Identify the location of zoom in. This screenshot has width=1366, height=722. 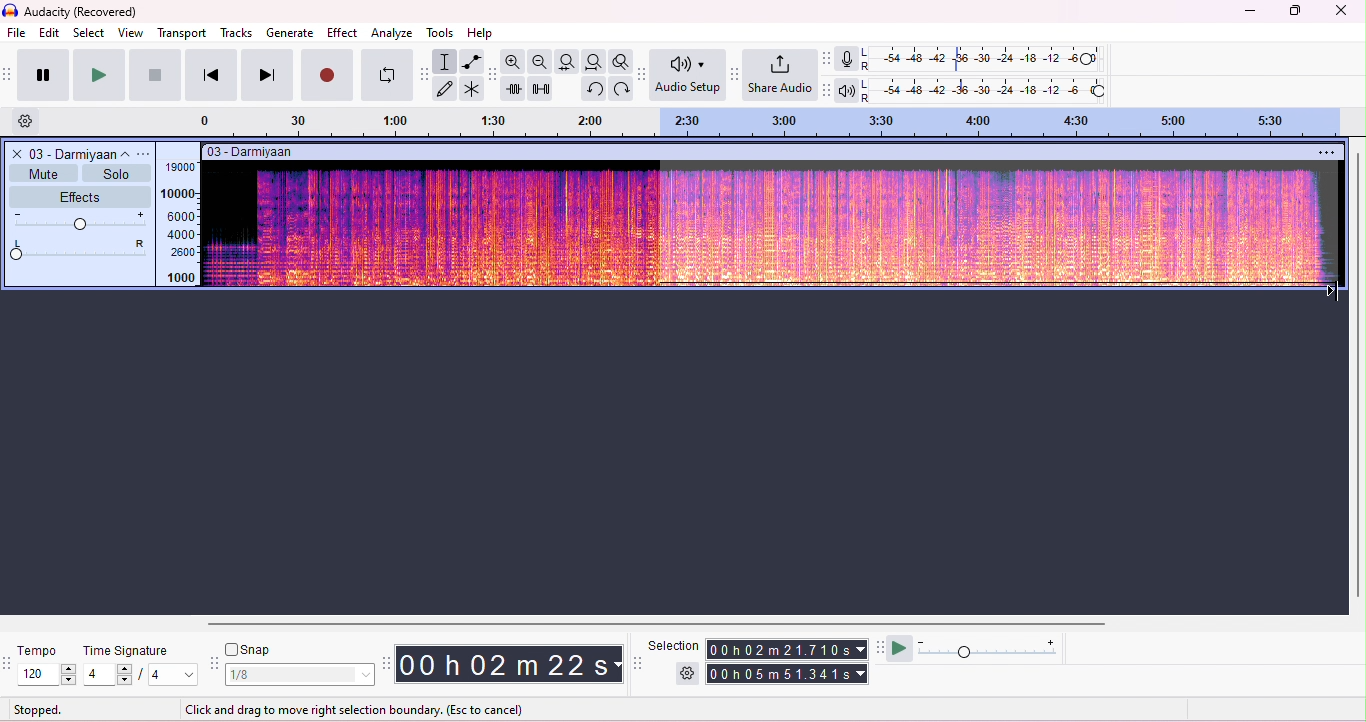
(515, 62).